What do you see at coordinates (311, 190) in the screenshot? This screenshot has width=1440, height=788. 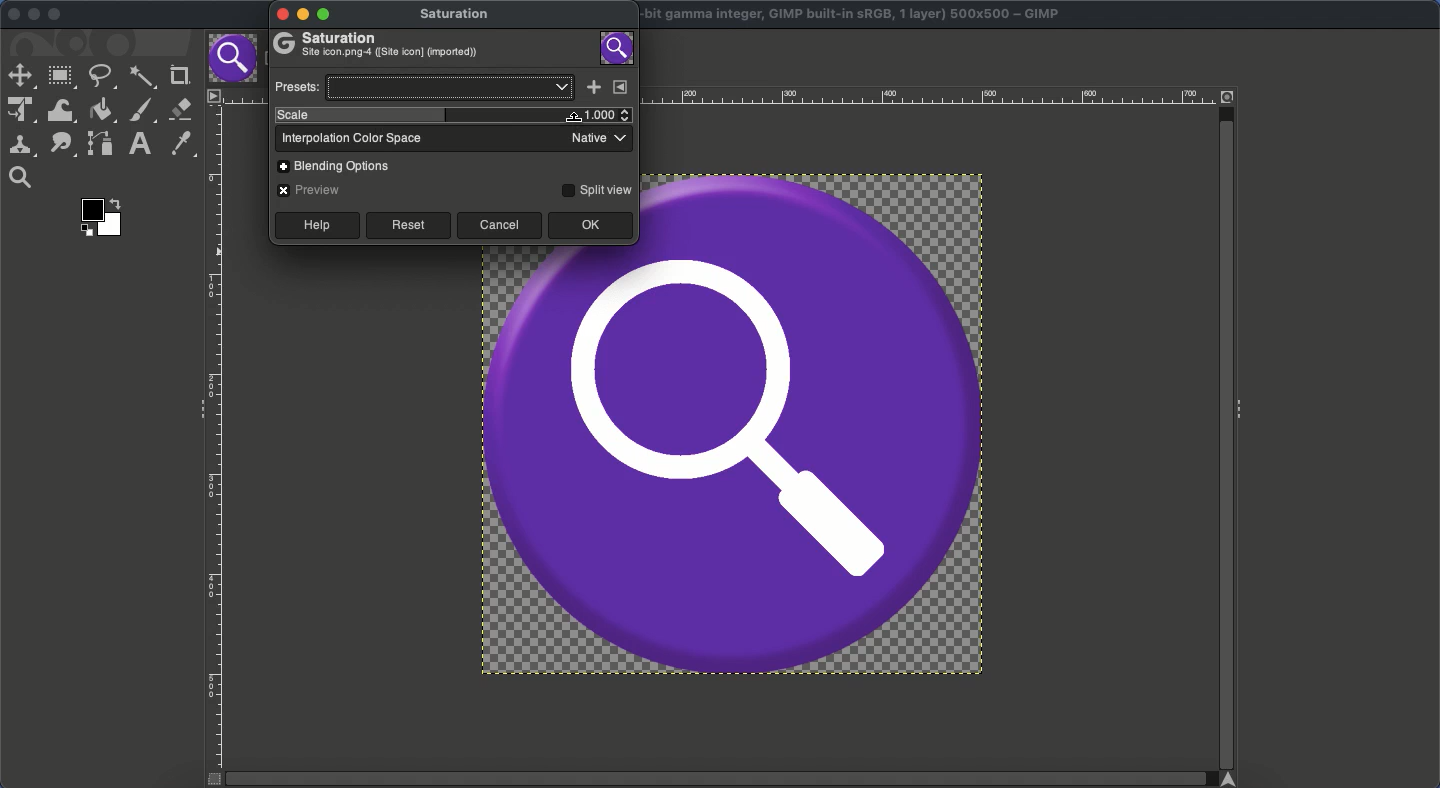 I see `Preview` at bounding box center [311, 190].